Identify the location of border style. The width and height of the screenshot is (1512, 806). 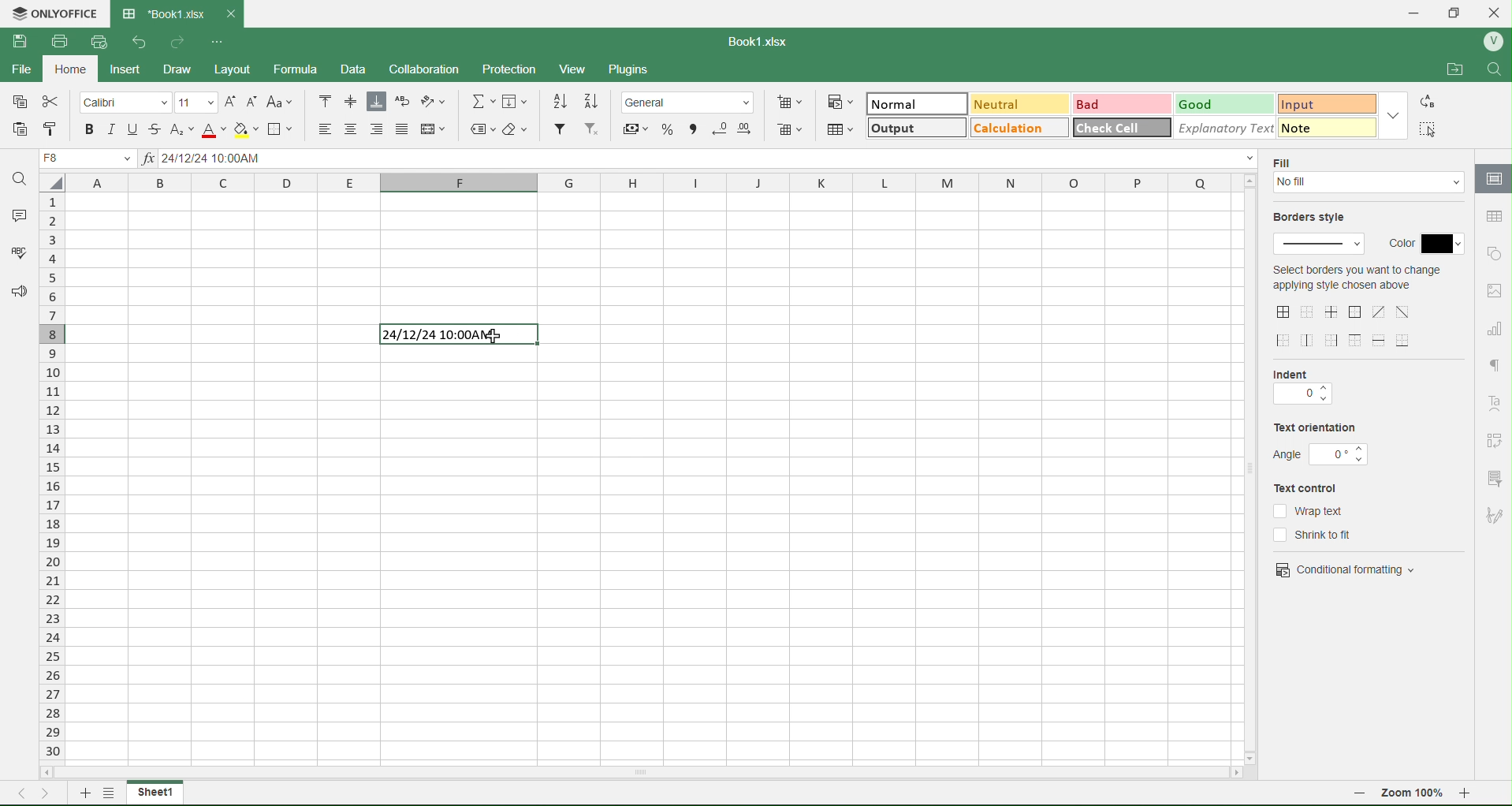
(1321, 245).